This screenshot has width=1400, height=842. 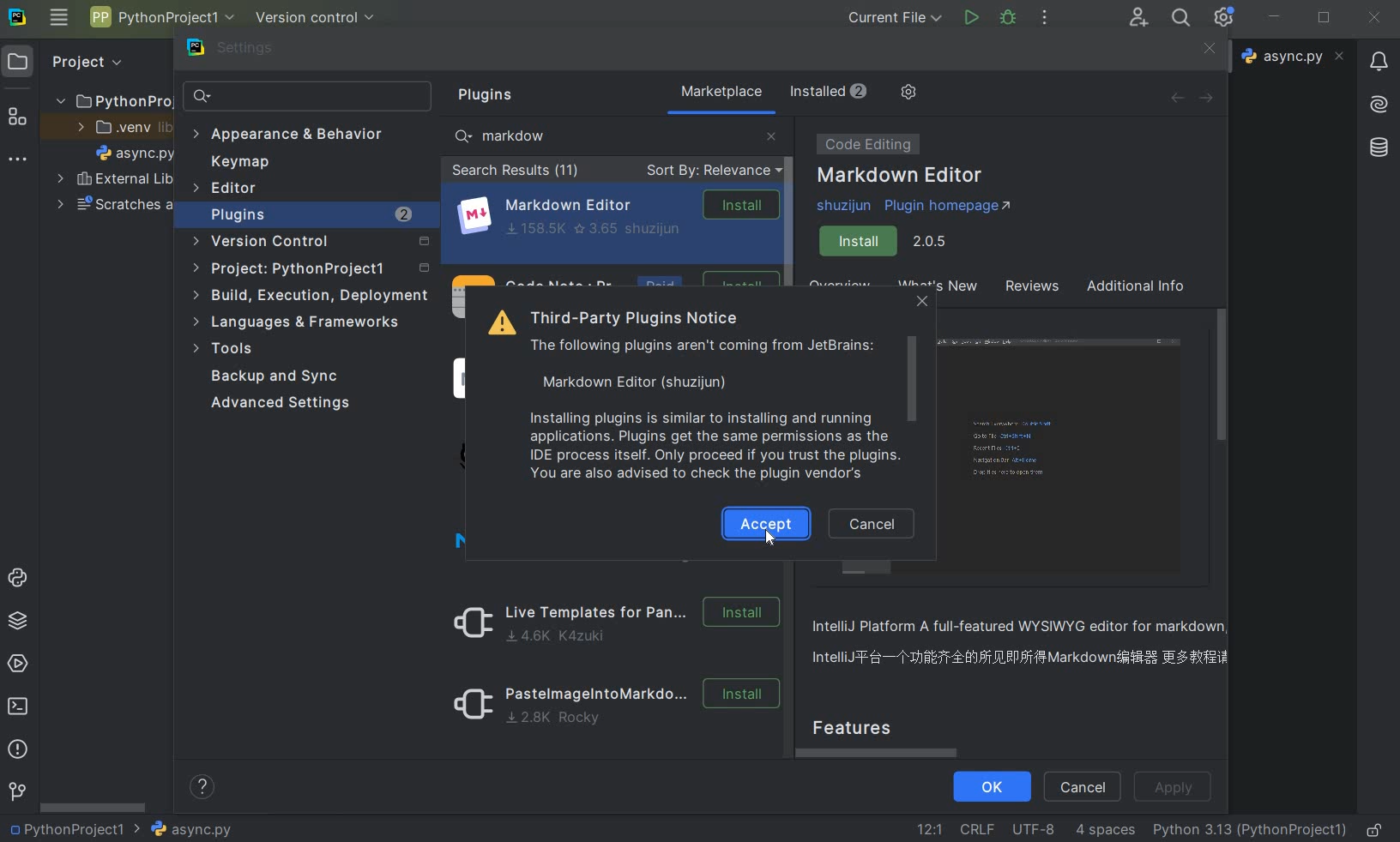 What do you see at coordinates (1043, 19) in the screenshot?
I see `more actions` at bounding box center [1043, 19].